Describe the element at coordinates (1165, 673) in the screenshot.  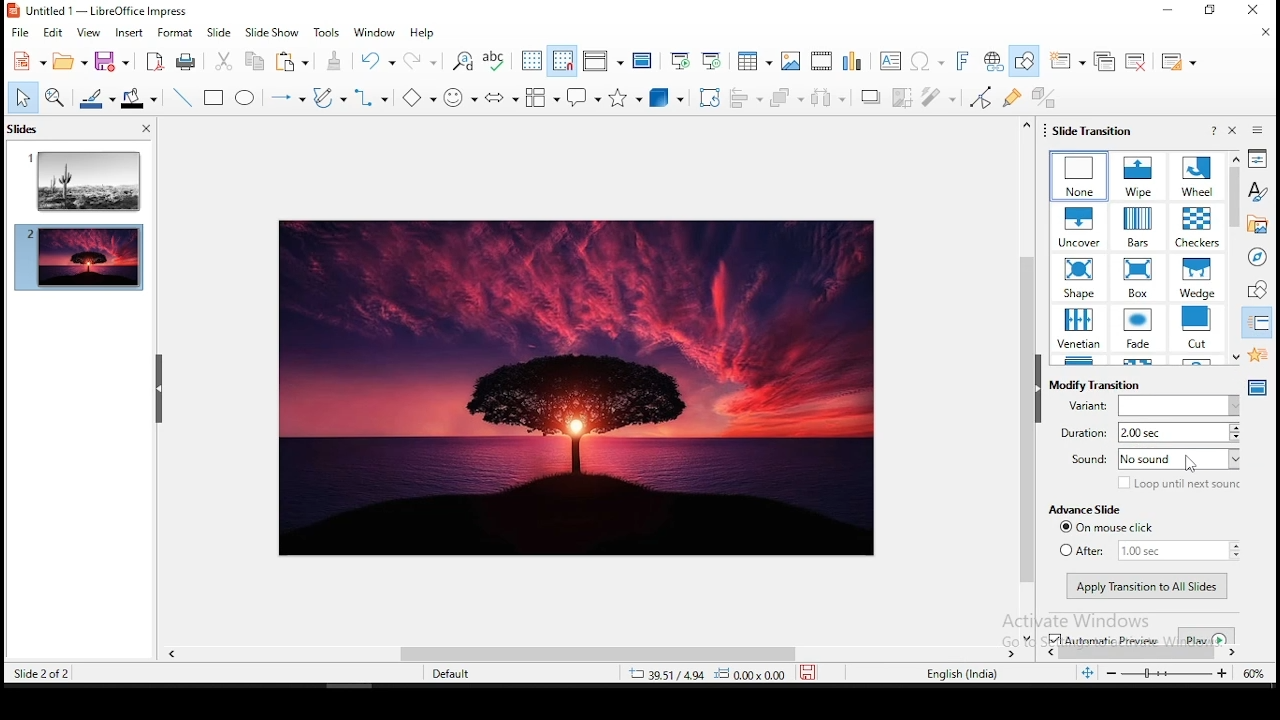
I see `zoom` at that location.